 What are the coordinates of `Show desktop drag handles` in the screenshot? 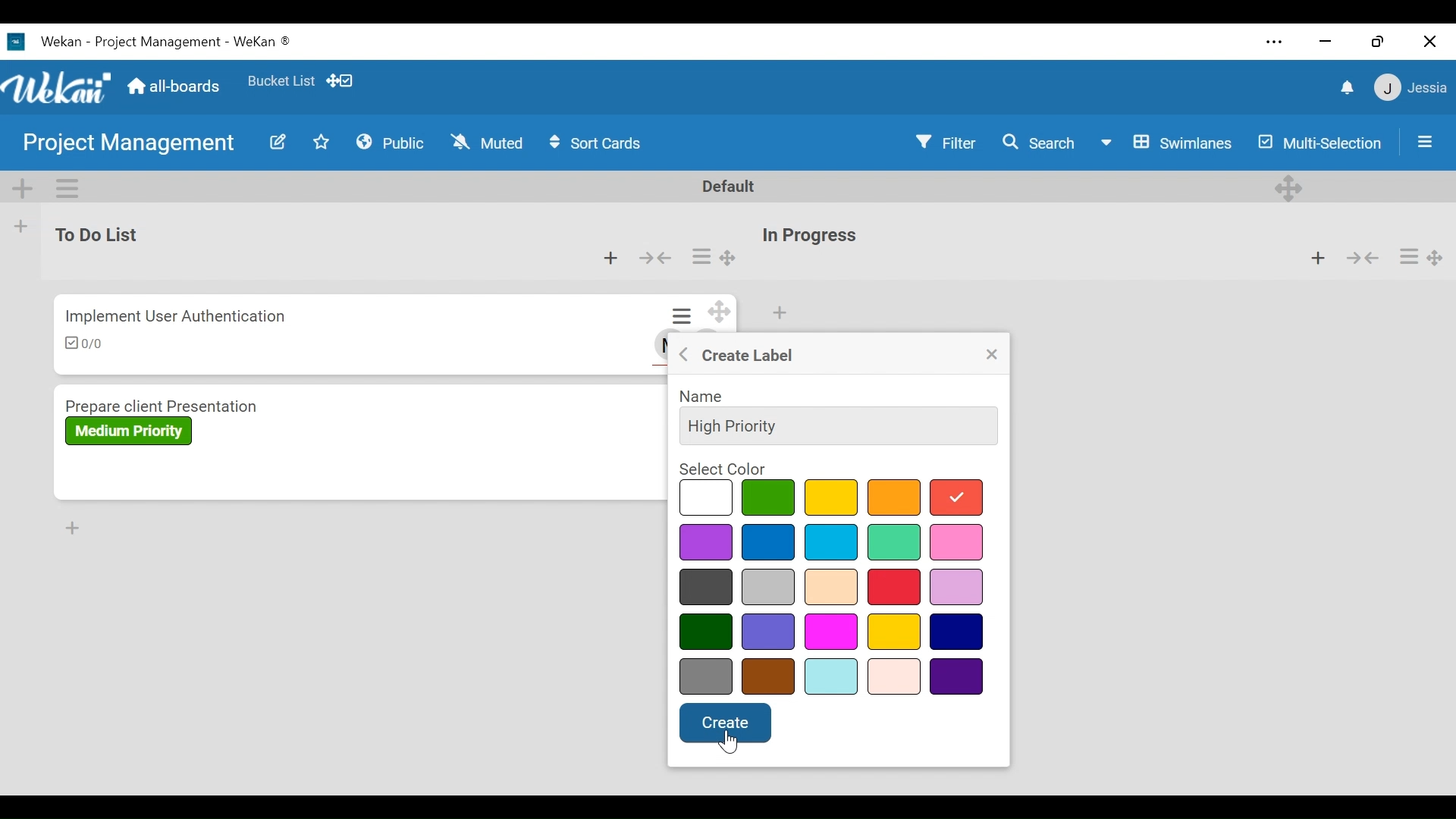 It's located at (342, 80).